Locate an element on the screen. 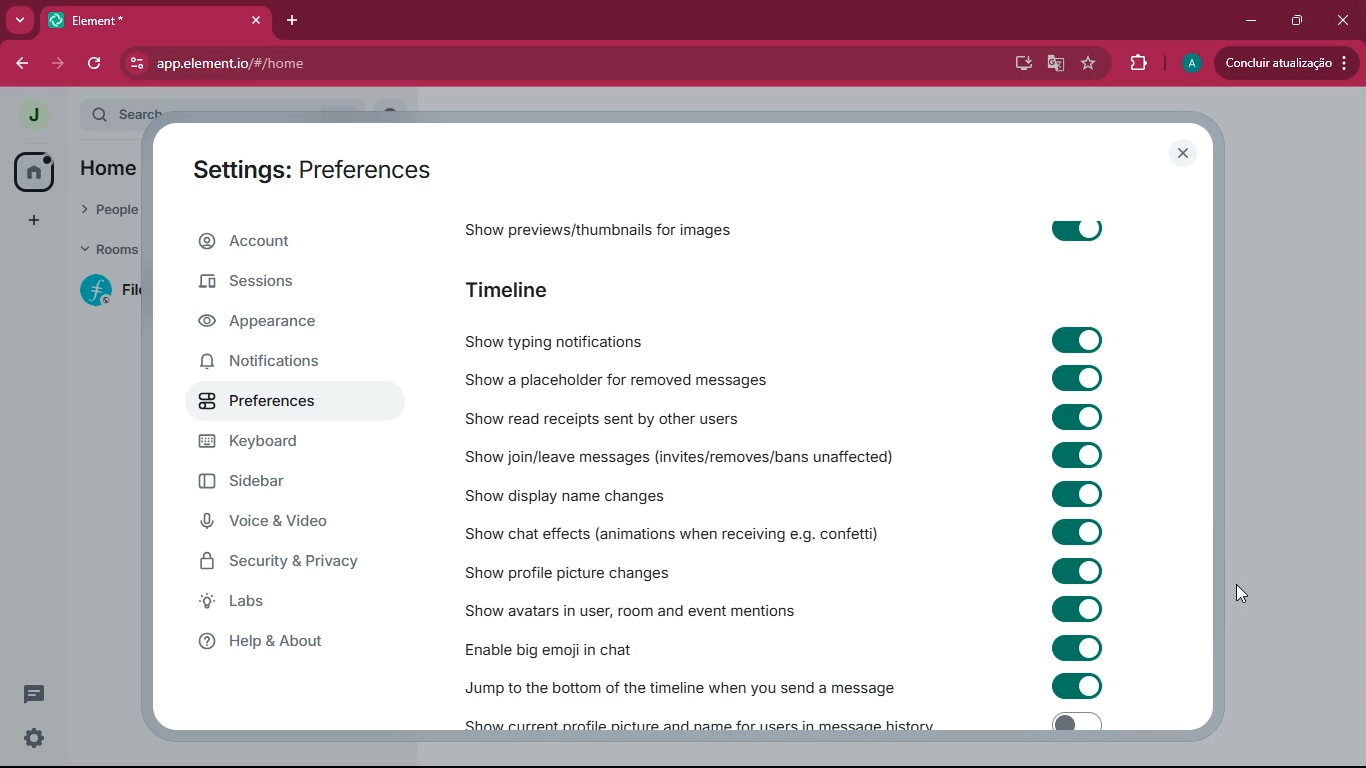 The width and height of the screenshot is (1366, 768). j is located at coordinates (24, 115).